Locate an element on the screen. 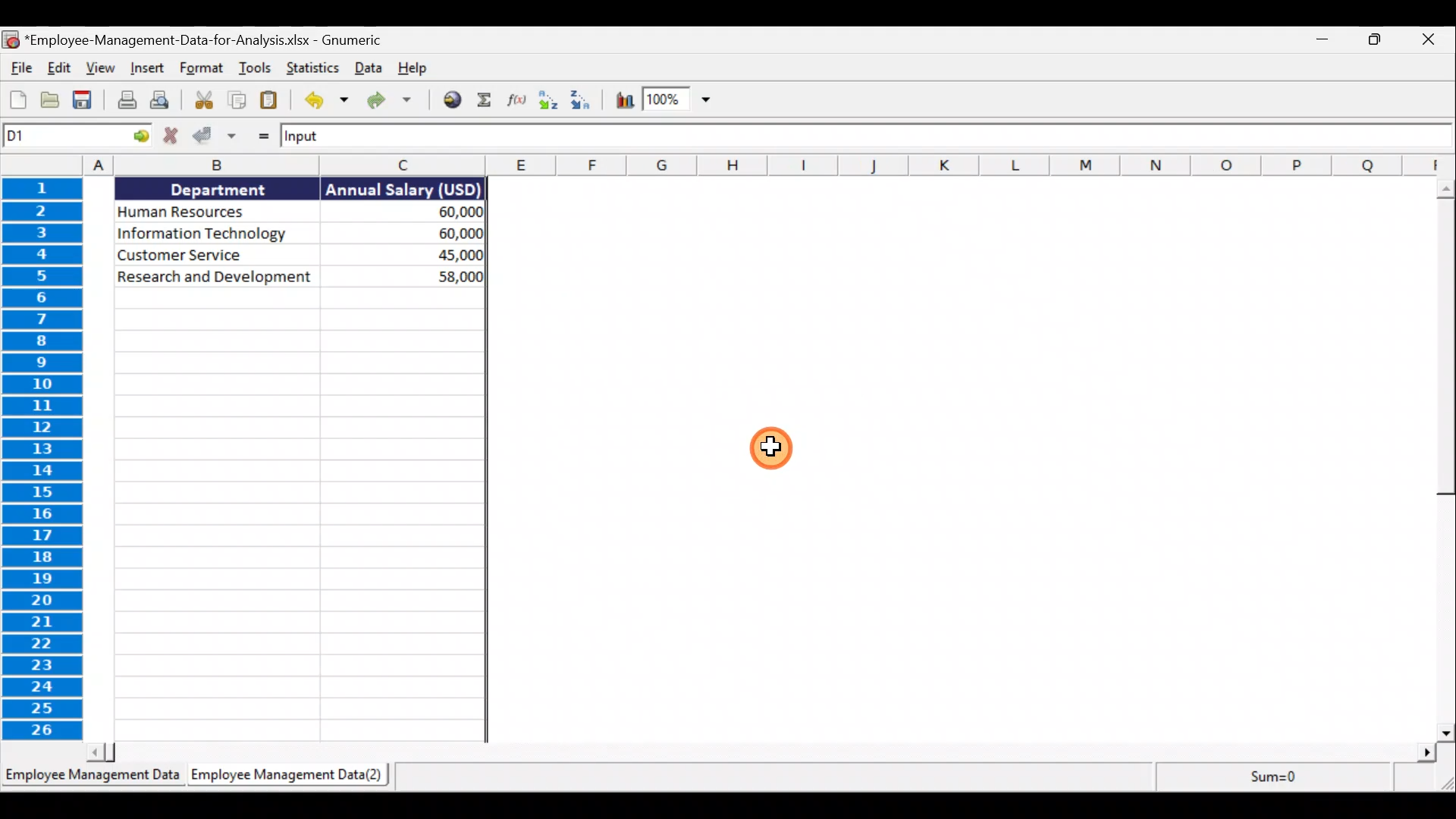  Document name is located at coordinates (197, 37).